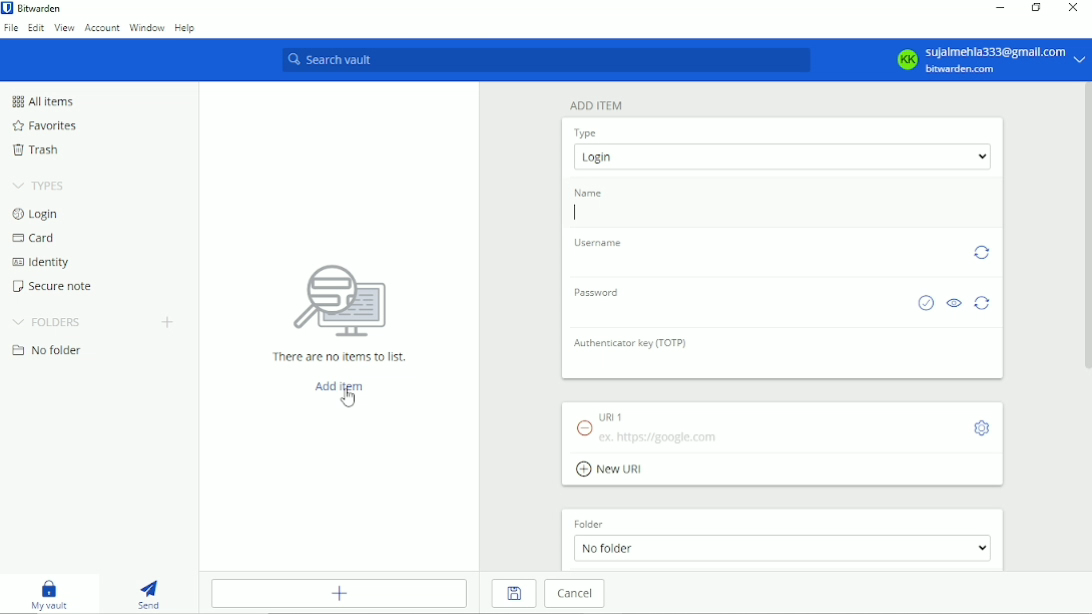 This screenshot has height=614, width=1092. I want to click on Password, so click(595, 292).